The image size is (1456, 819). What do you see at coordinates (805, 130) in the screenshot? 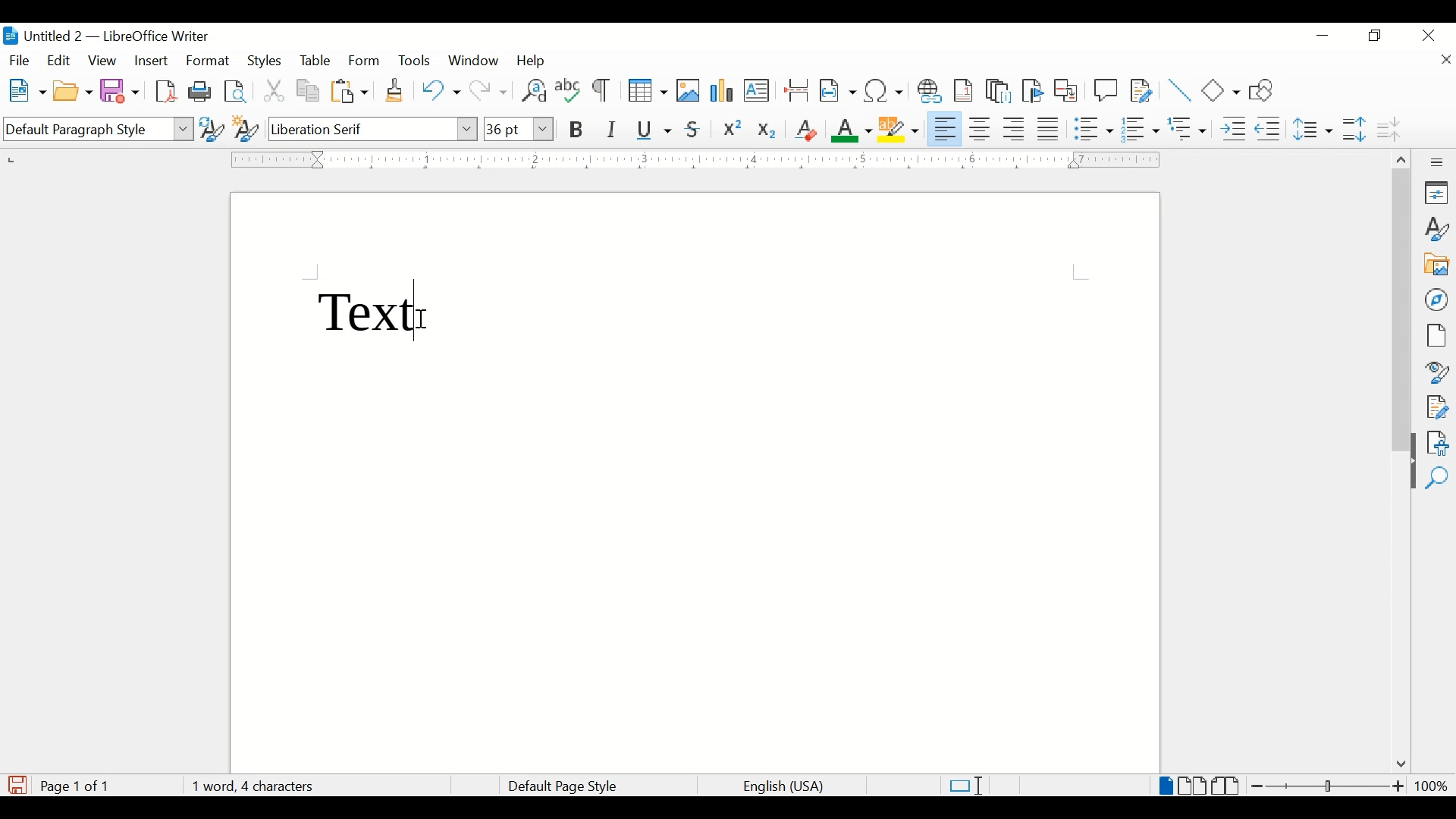
I see `clear direct formatting` at bounding box center [805, 130].